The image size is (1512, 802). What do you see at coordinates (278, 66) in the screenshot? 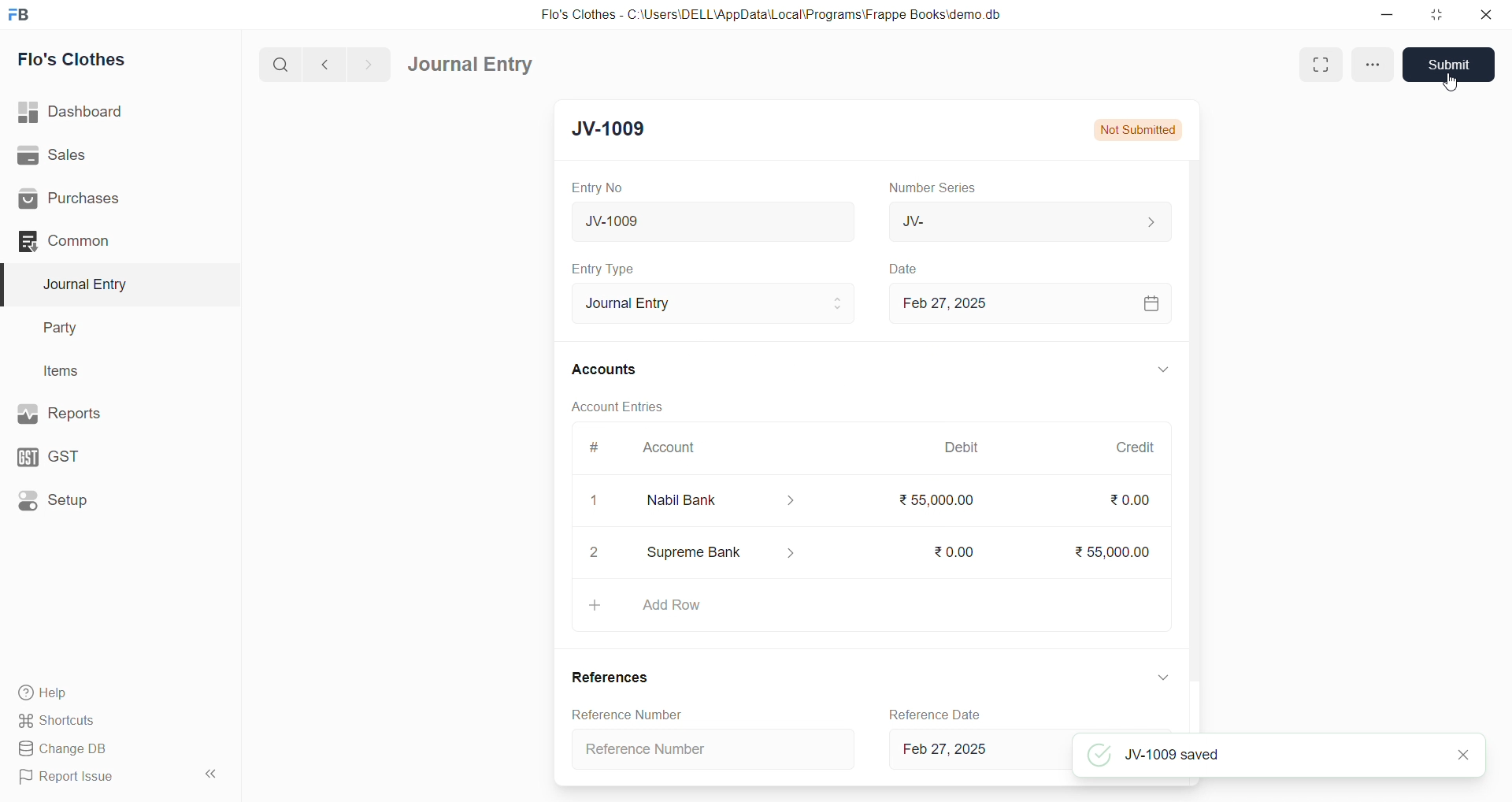
I see `search` at bounding box center [278, 66].